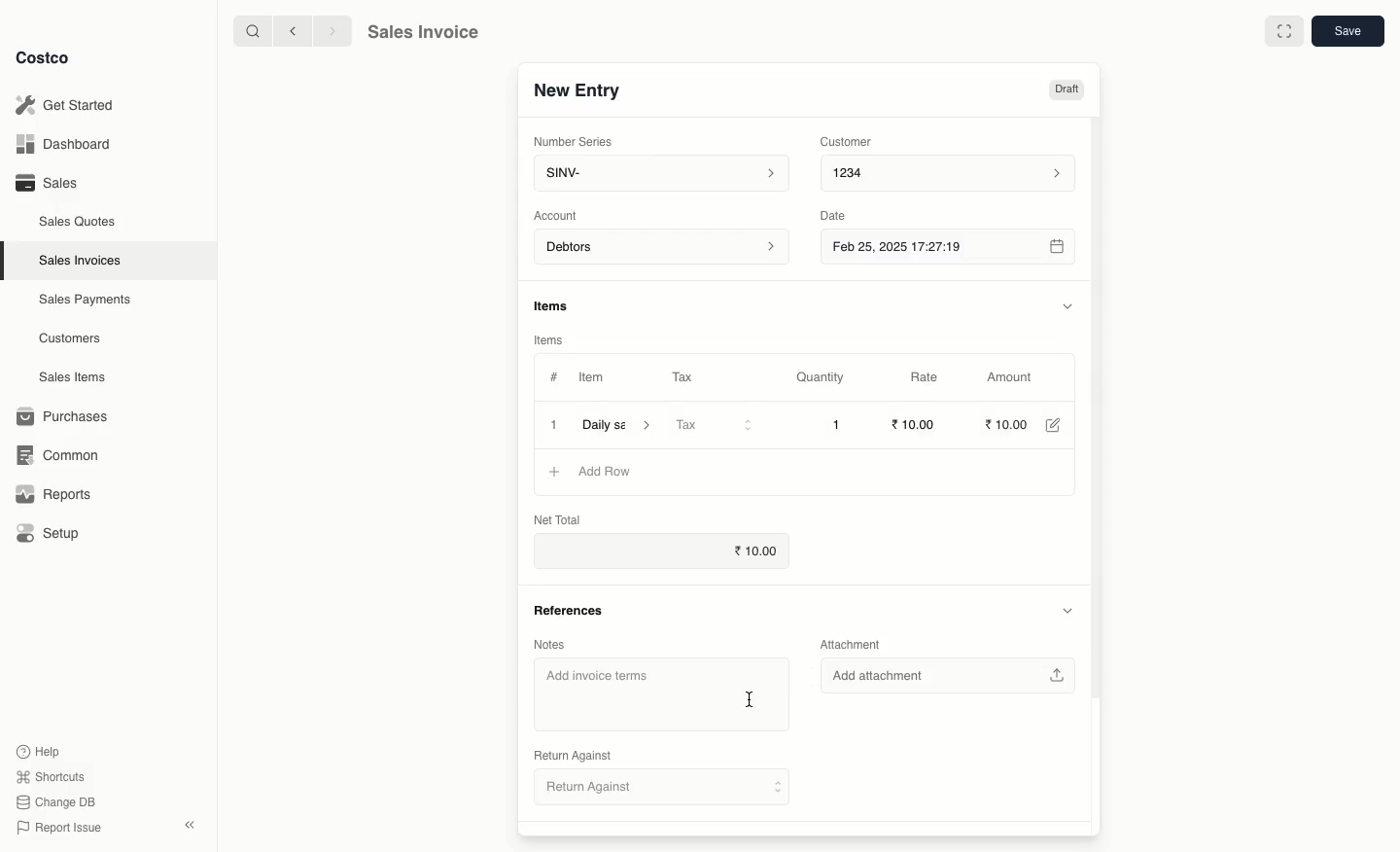  What do you see at coordinates (81, 301) in the screenshot?
I see `Sales Payments` at bounding box center [81, 301].